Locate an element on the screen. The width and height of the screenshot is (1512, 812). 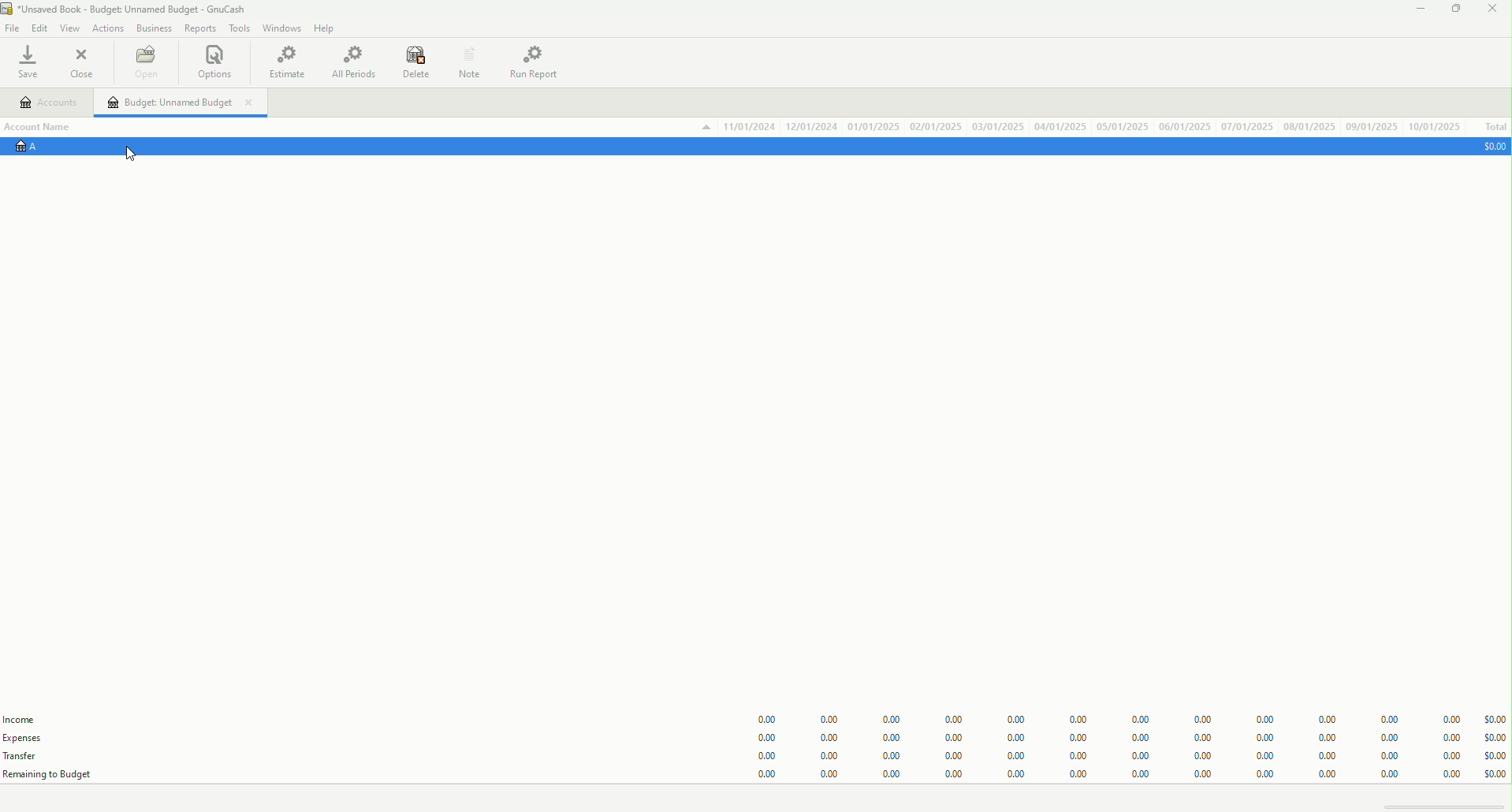
Business is located at coordinates (152, 28).